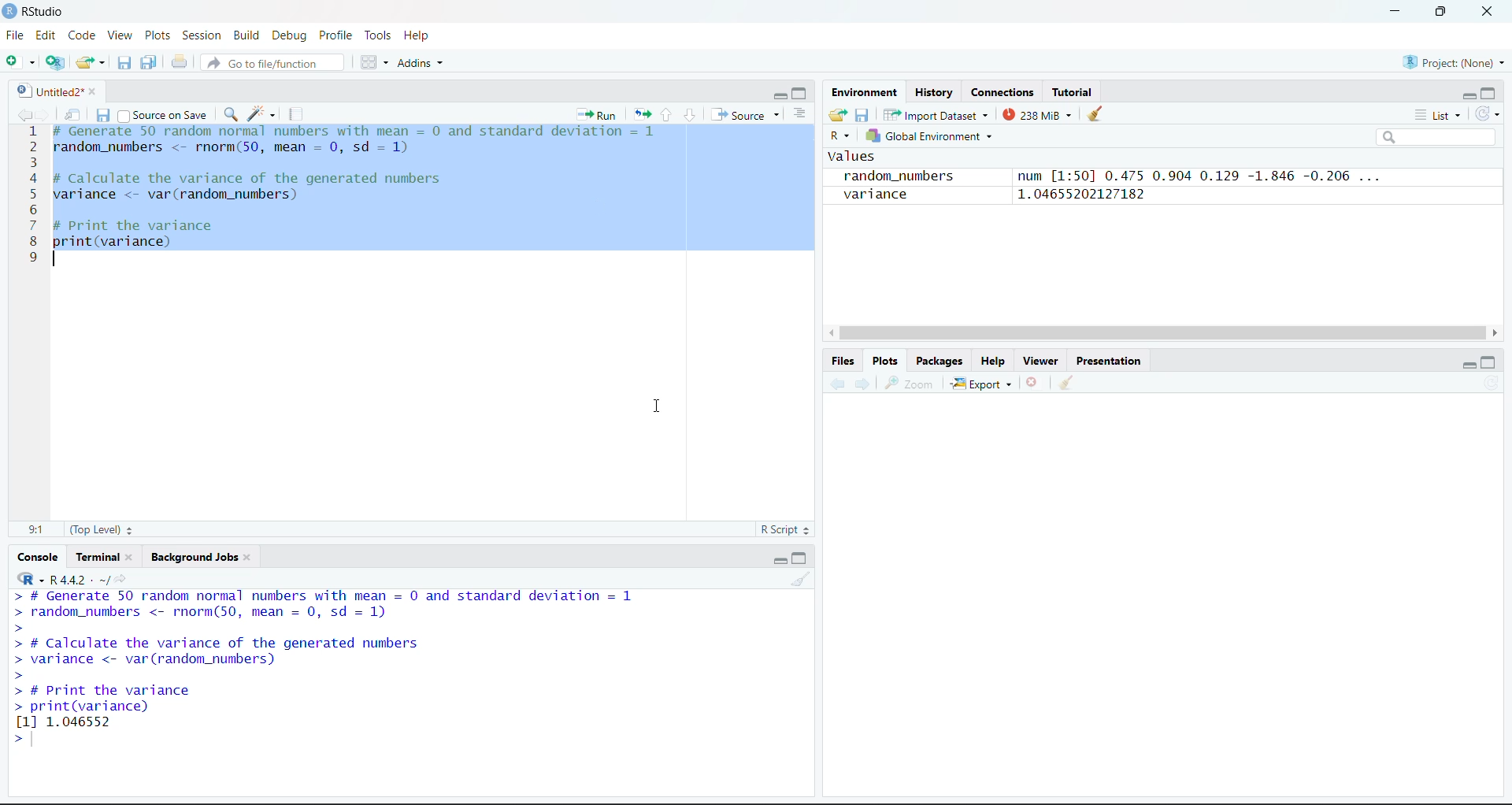 The width and height of the screenshot is (1512, 805). Describe the element at coordinates (202, 35) in the screenshot. I see `Session` at that location.